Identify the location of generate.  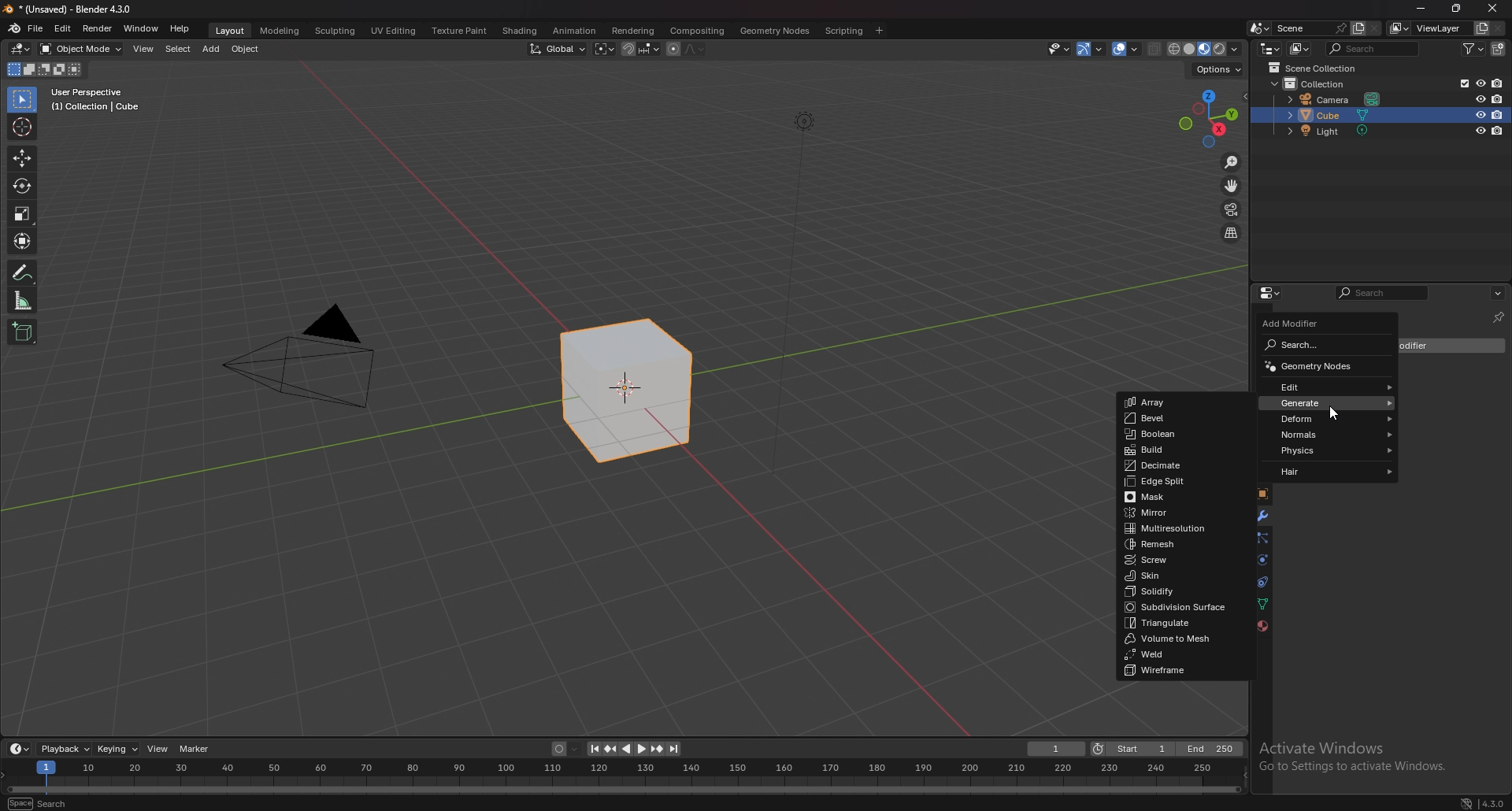
(1330, 402).